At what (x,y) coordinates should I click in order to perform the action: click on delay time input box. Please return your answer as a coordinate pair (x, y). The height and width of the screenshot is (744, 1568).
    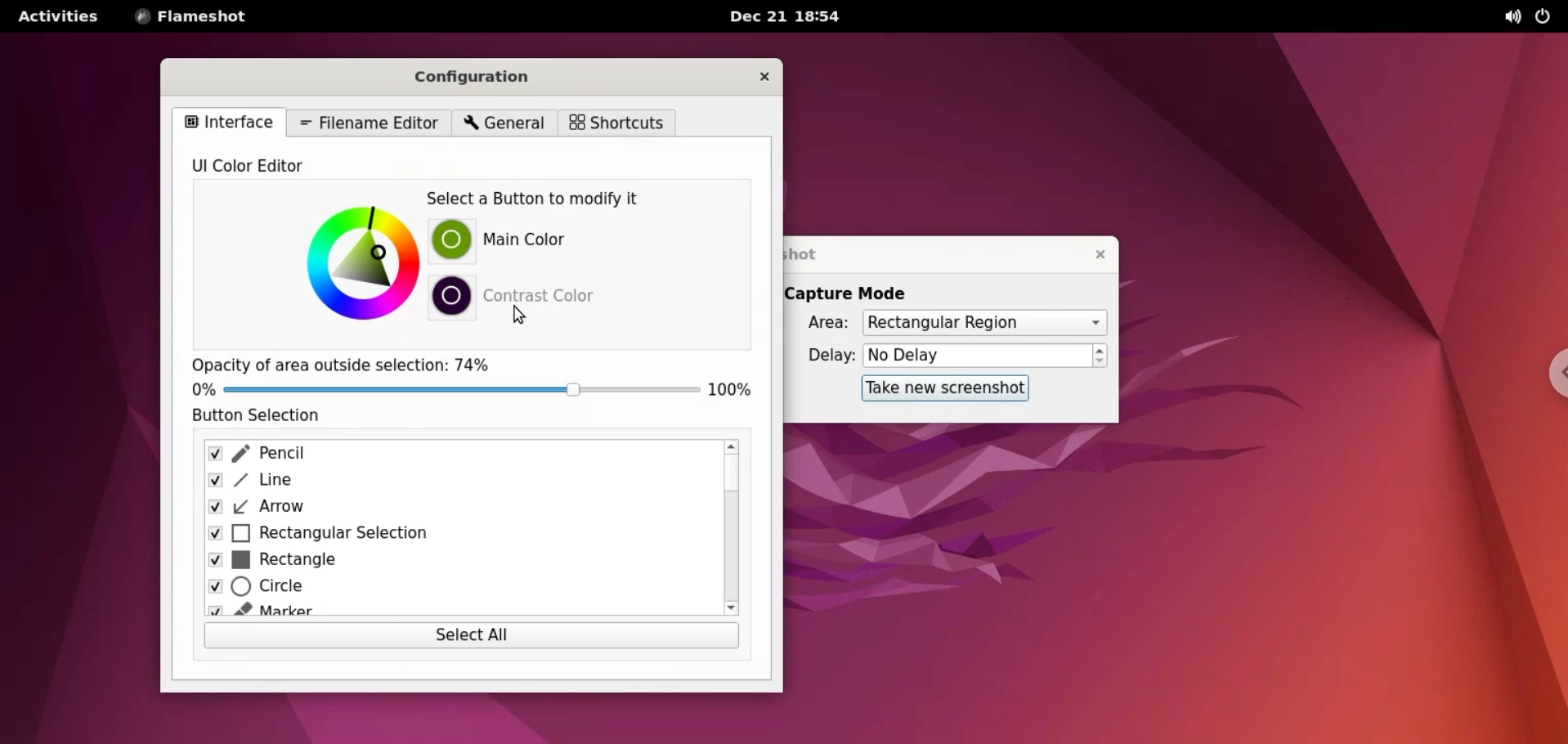
    Looking at the image, I should click on (979, 356).